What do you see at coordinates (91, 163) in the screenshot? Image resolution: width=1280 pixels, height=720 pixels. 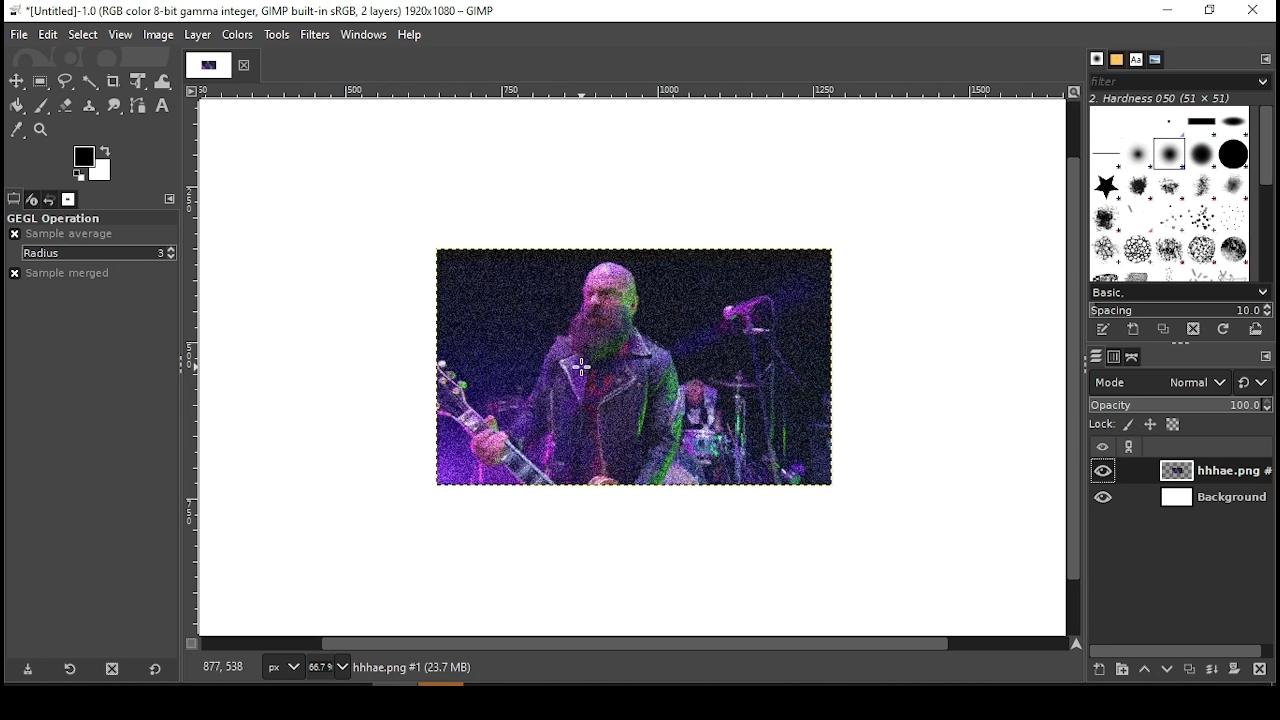 I see `color` at bounding box center [91, 163].